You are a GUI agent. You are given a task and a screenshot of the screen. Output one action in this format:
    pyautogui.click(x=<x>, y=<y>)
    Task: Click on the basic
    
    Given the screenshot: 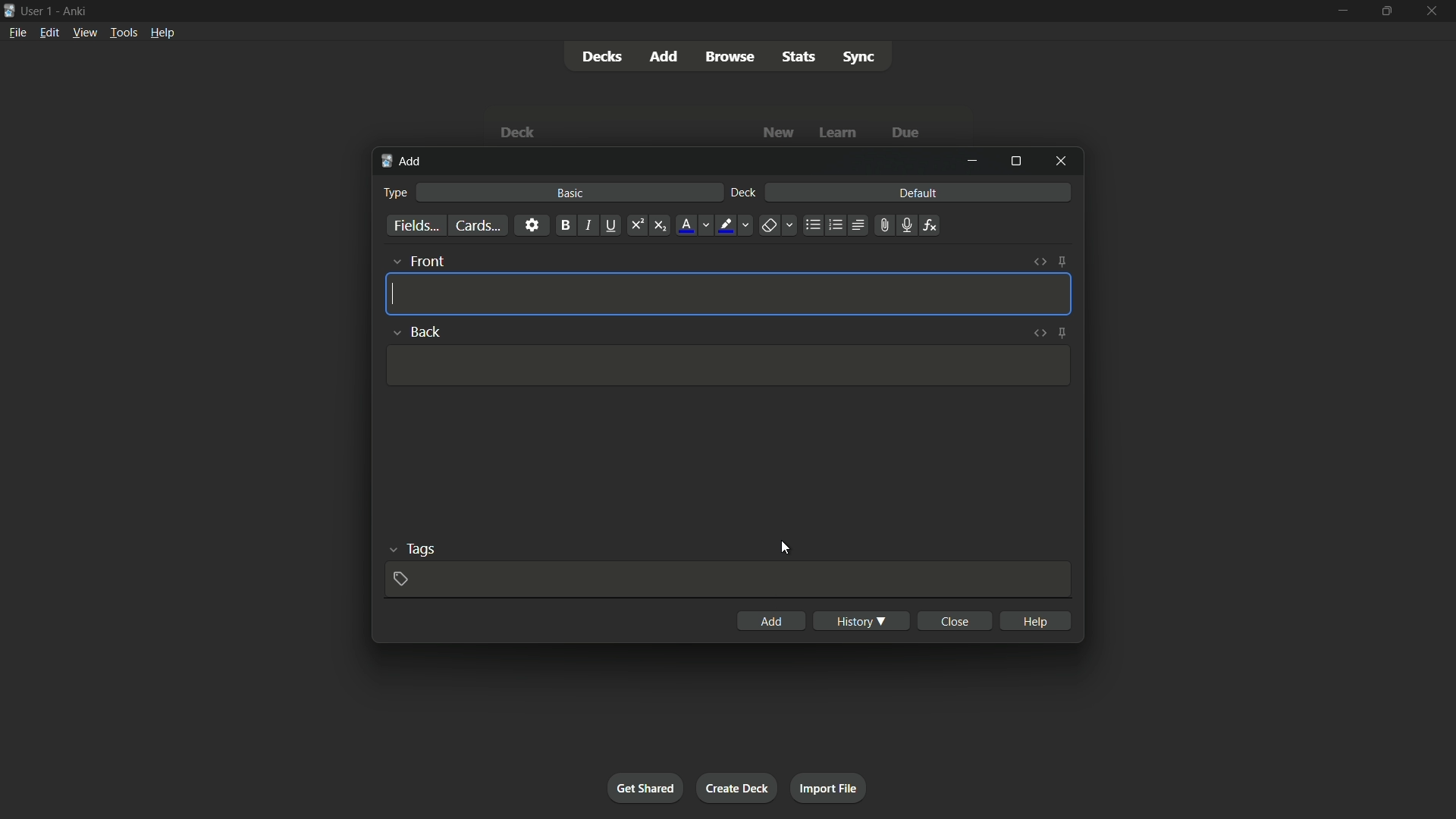 What is the action you would take?
    pyautogui.click(x=568, y=193)
    